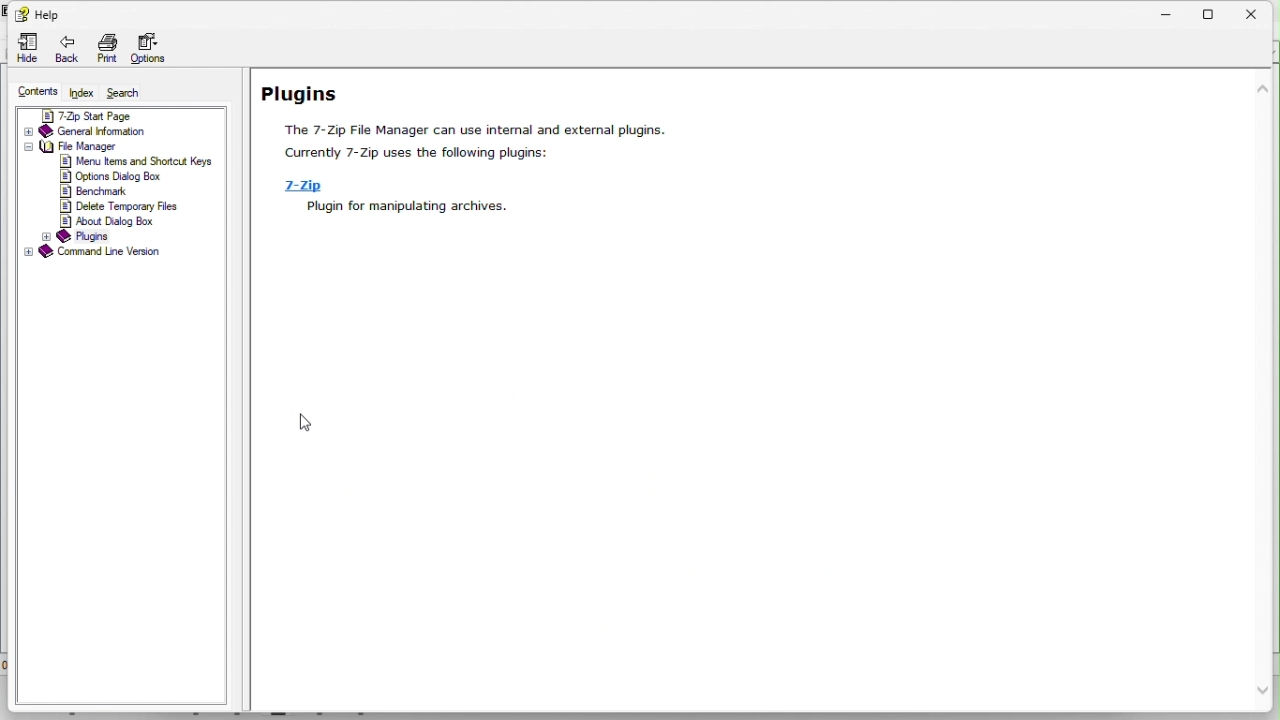 The width and height of the screenshot is (1280, 720). Describe the element at coordinates (66, 49) in the screenshot. I see `Back` at that location.